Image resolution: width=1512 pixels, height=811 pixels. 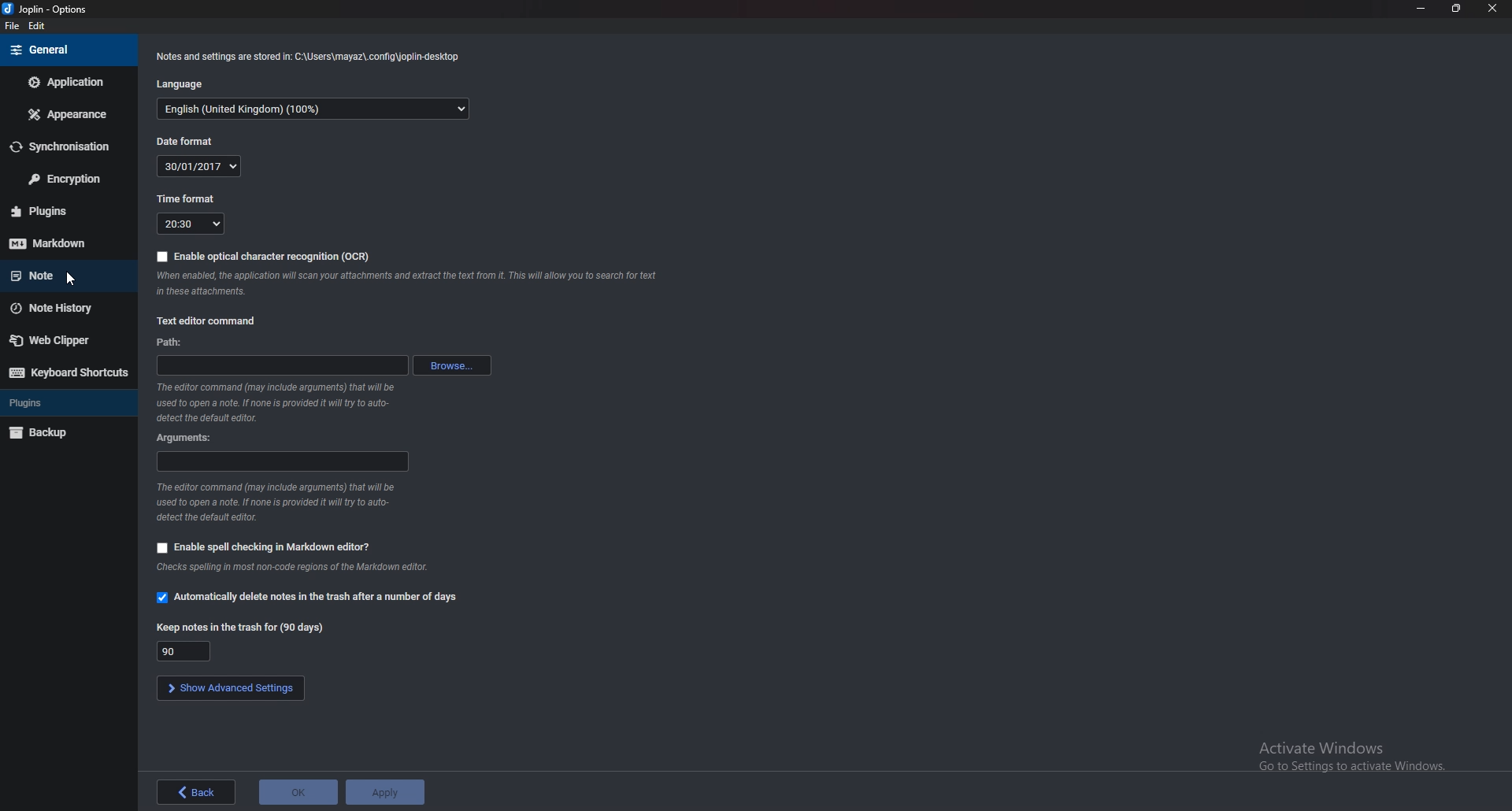 What do you see at coordinates (261, 256) in the screenshot?
I see `Enable Ocr` at bounding box center [261, 256].